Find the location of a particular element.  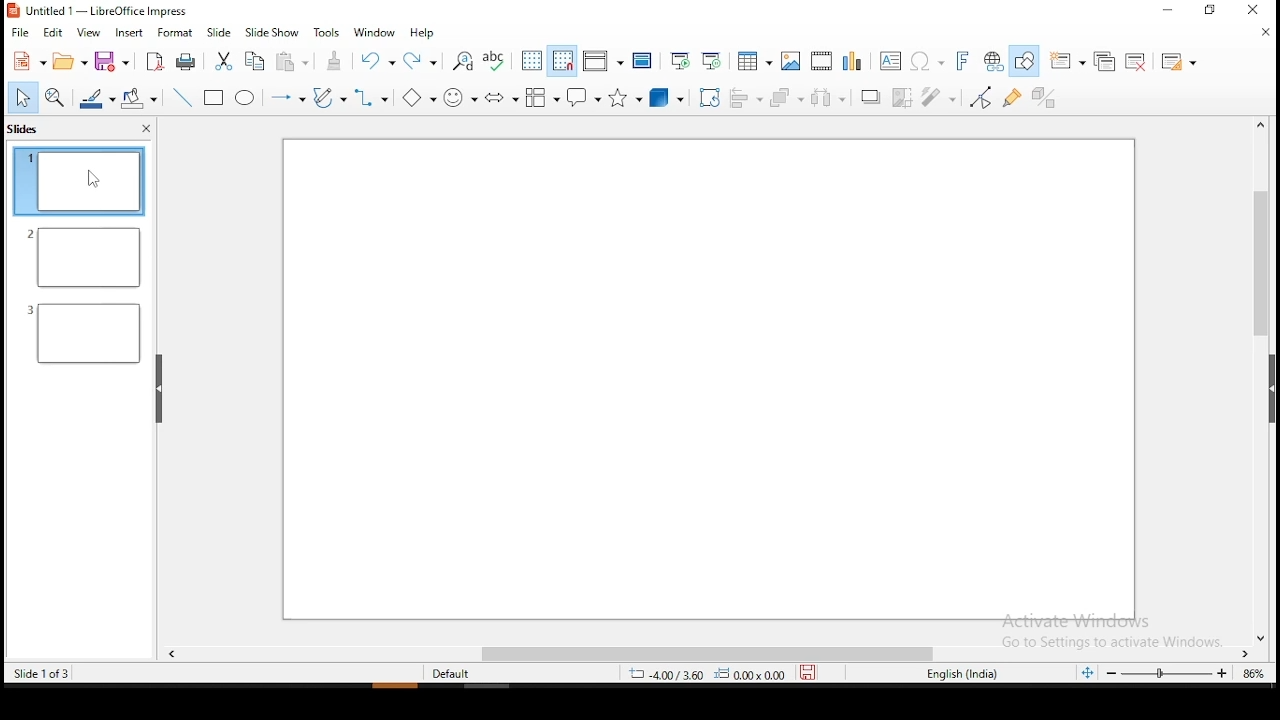

tables is located at coordinates (754, 61).